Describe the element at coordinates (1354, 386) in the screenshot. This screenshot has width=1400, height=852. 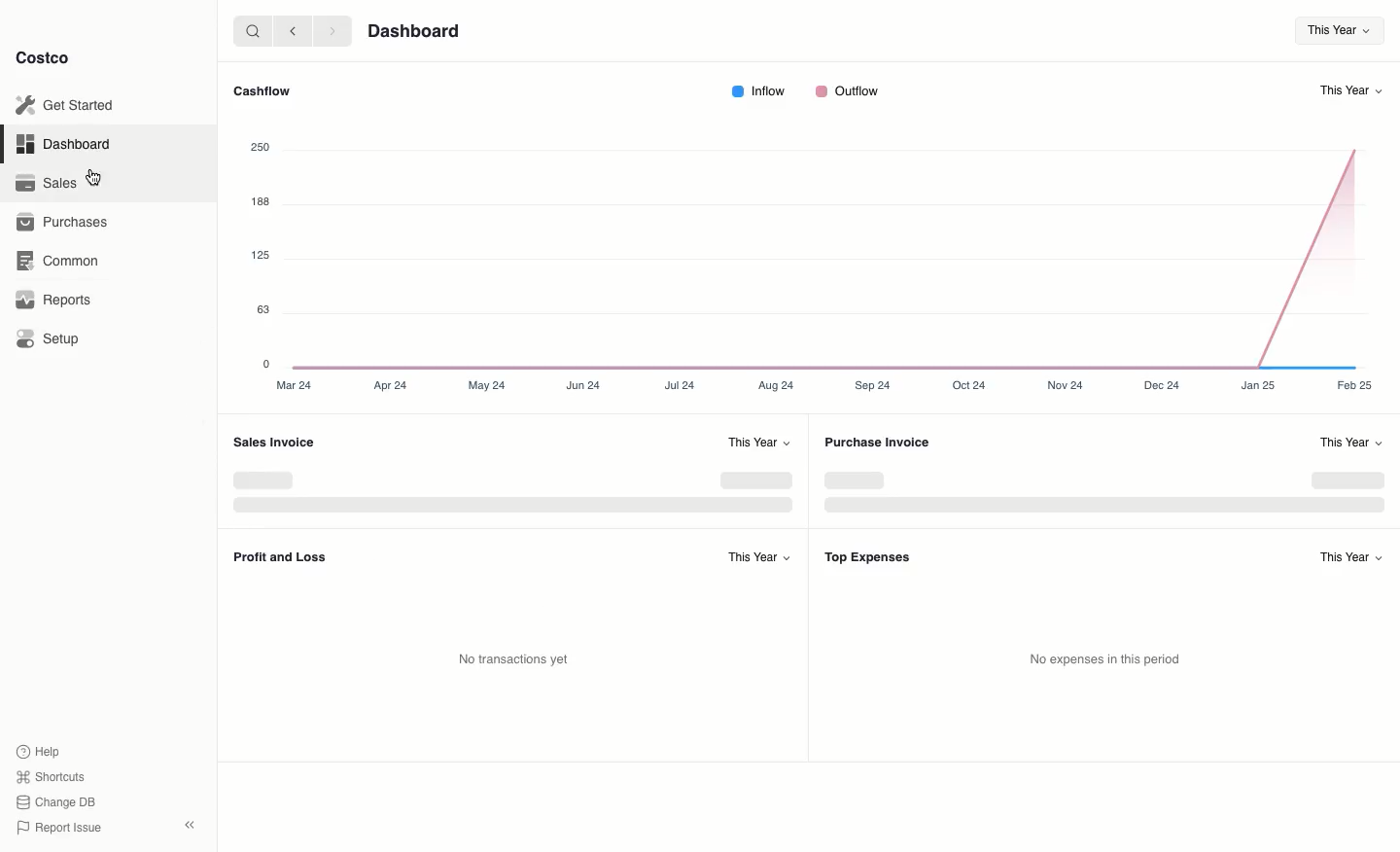
I see `Feb 25` at that location.